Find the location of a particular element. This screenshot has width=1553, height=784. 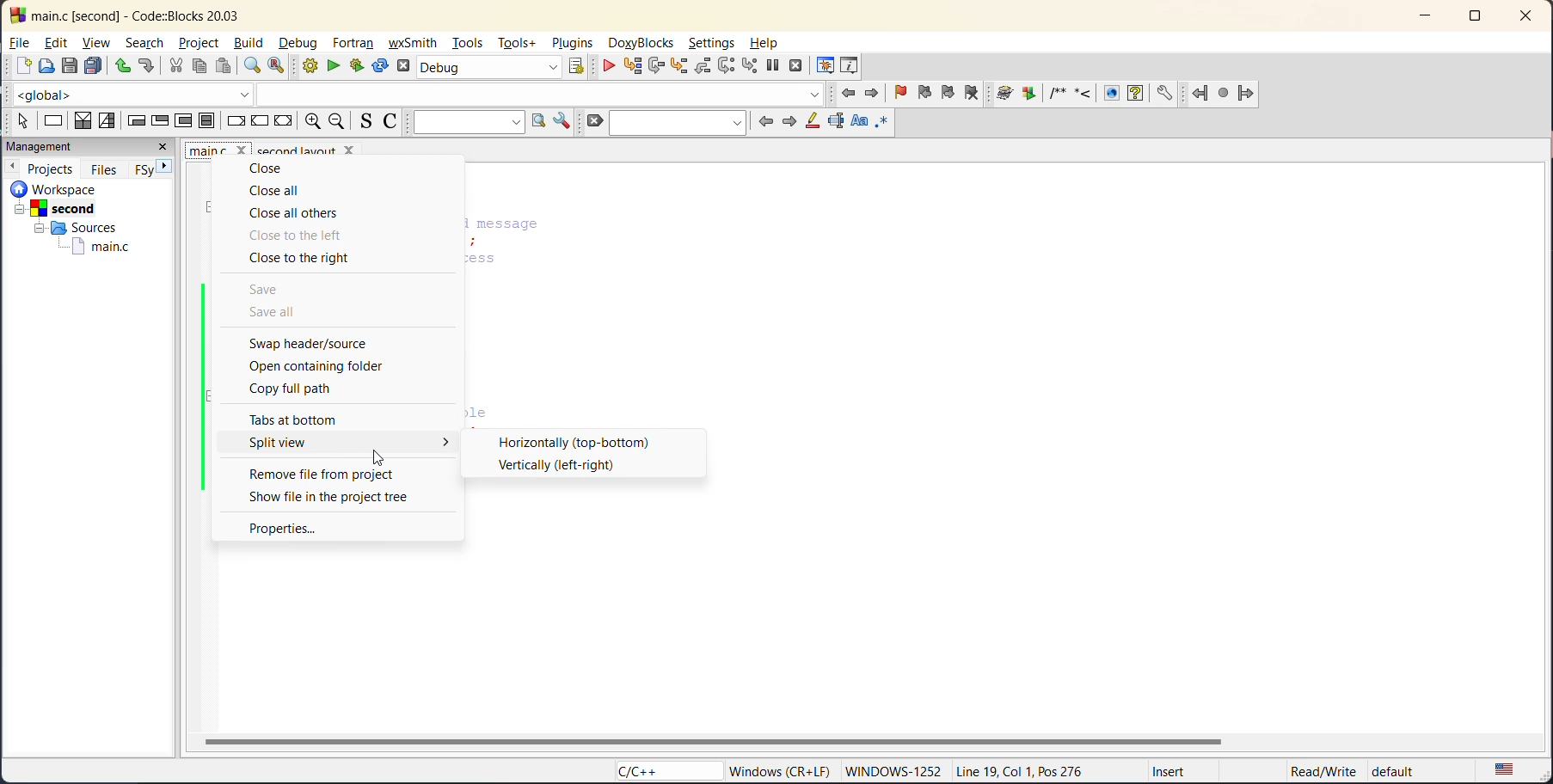

new is located at coordinates (16, 65).